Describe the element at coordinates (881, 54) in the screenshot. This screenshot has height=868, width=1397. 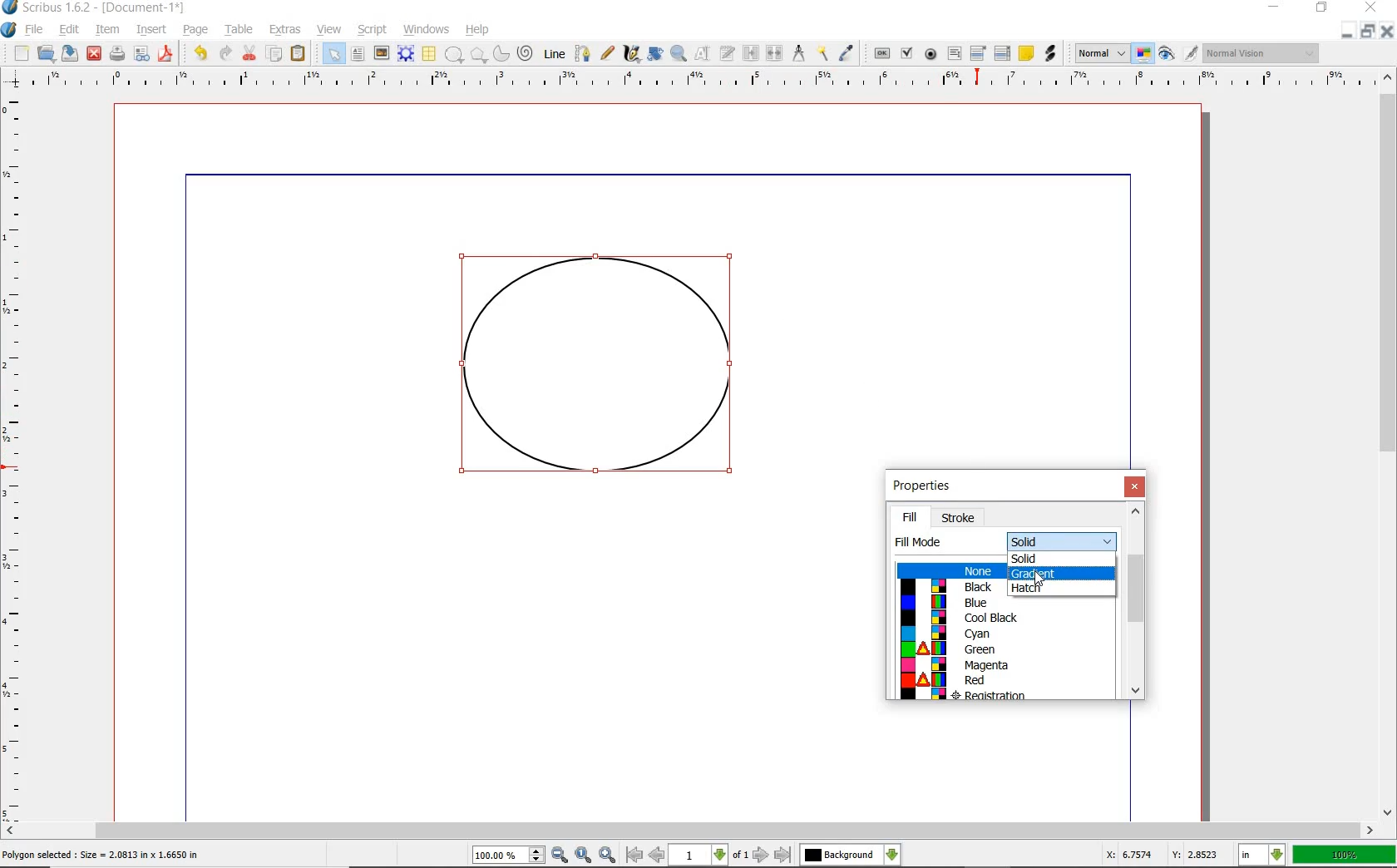
I see `PDF PUSH BUTTON` at that location.